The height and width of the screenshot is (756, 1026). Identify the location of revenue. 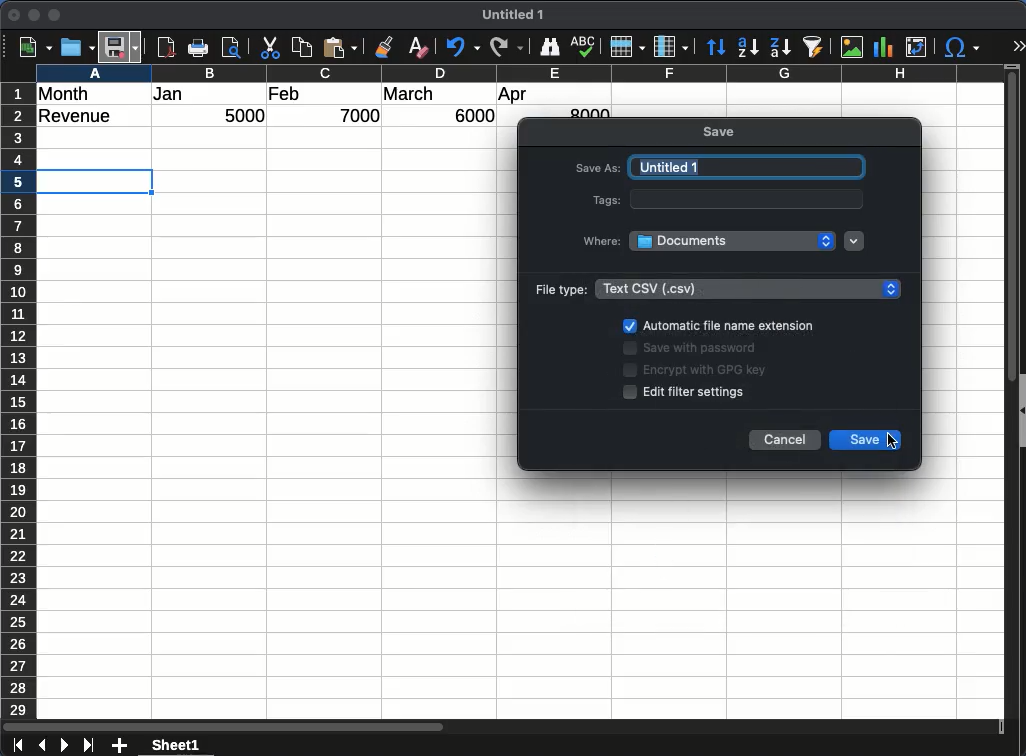
(80, 117).